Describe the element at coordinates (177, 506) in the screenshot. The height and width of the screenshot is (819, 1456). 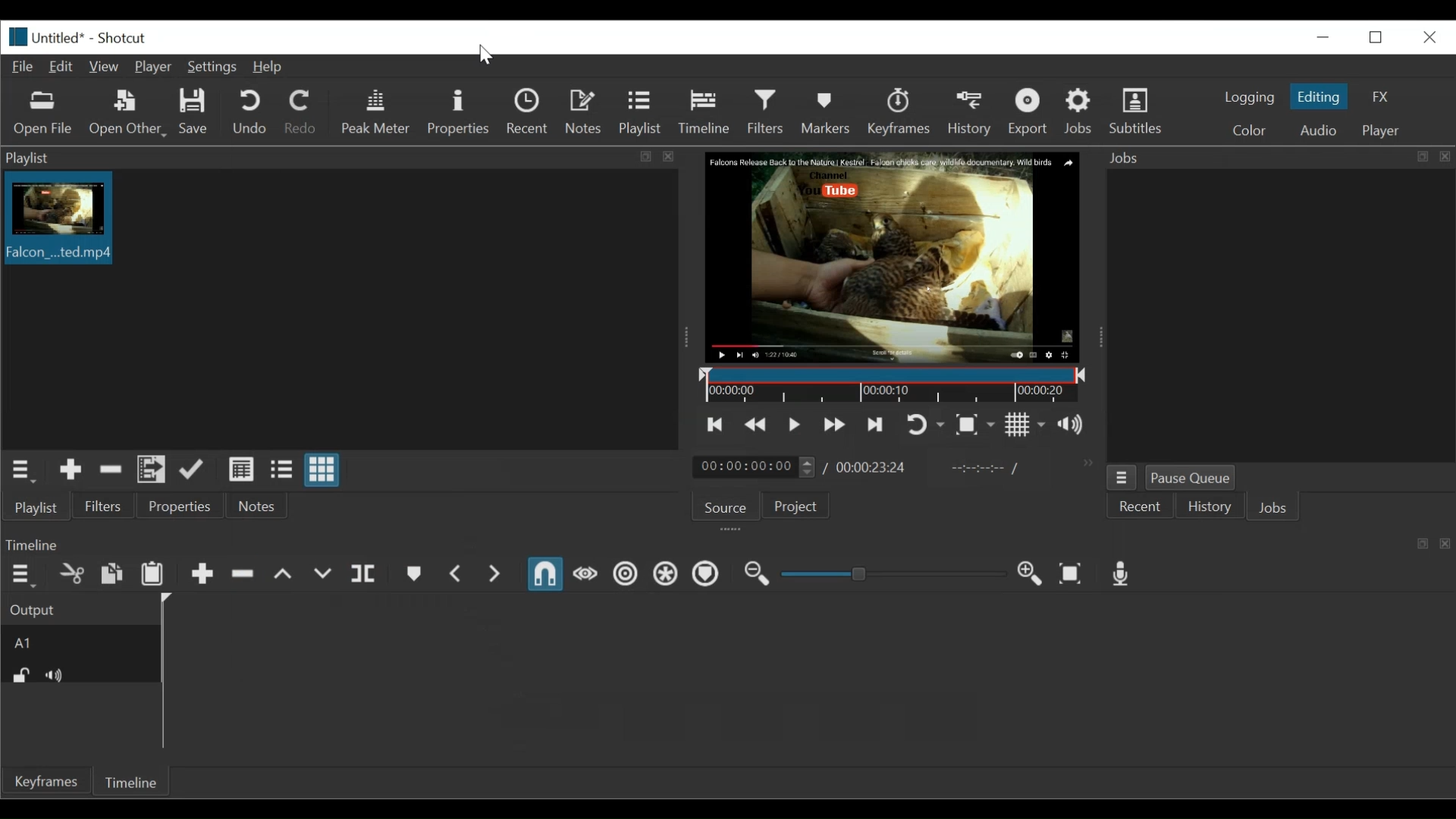
I see `Properties` at that location.